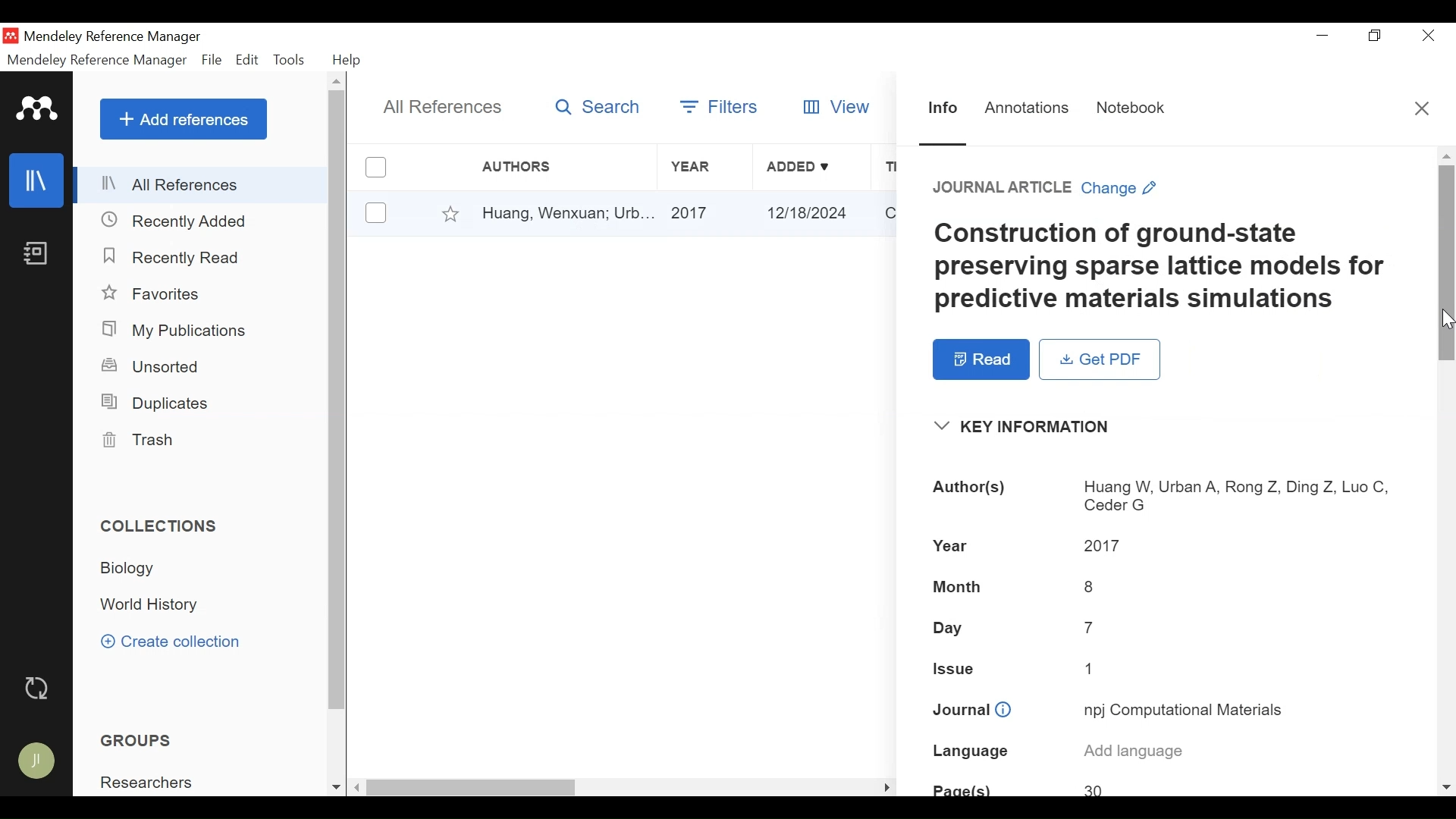 This screenshot has height=819, width=1456. Describe the element at coordinates (157, 605) in the screenshot. I see `Collection` at that location.